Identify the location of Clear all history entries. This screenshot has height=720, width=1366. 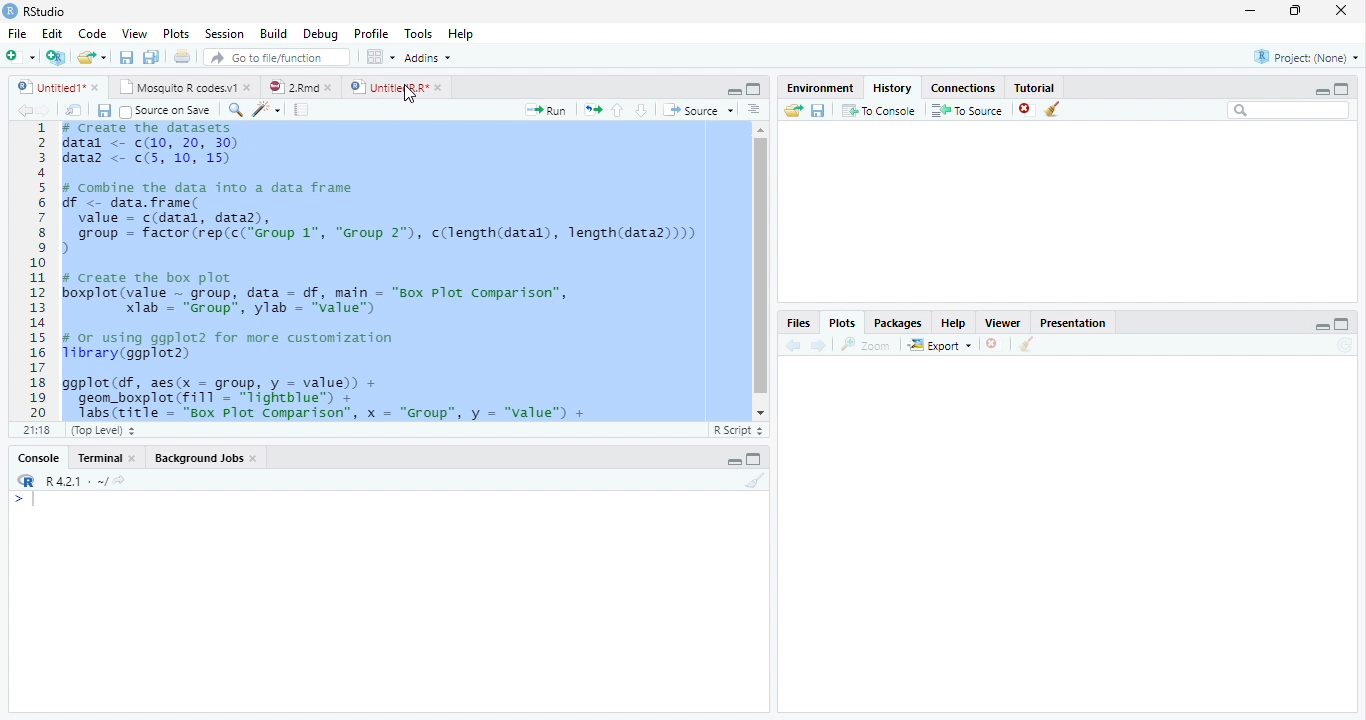
(1053, 109).